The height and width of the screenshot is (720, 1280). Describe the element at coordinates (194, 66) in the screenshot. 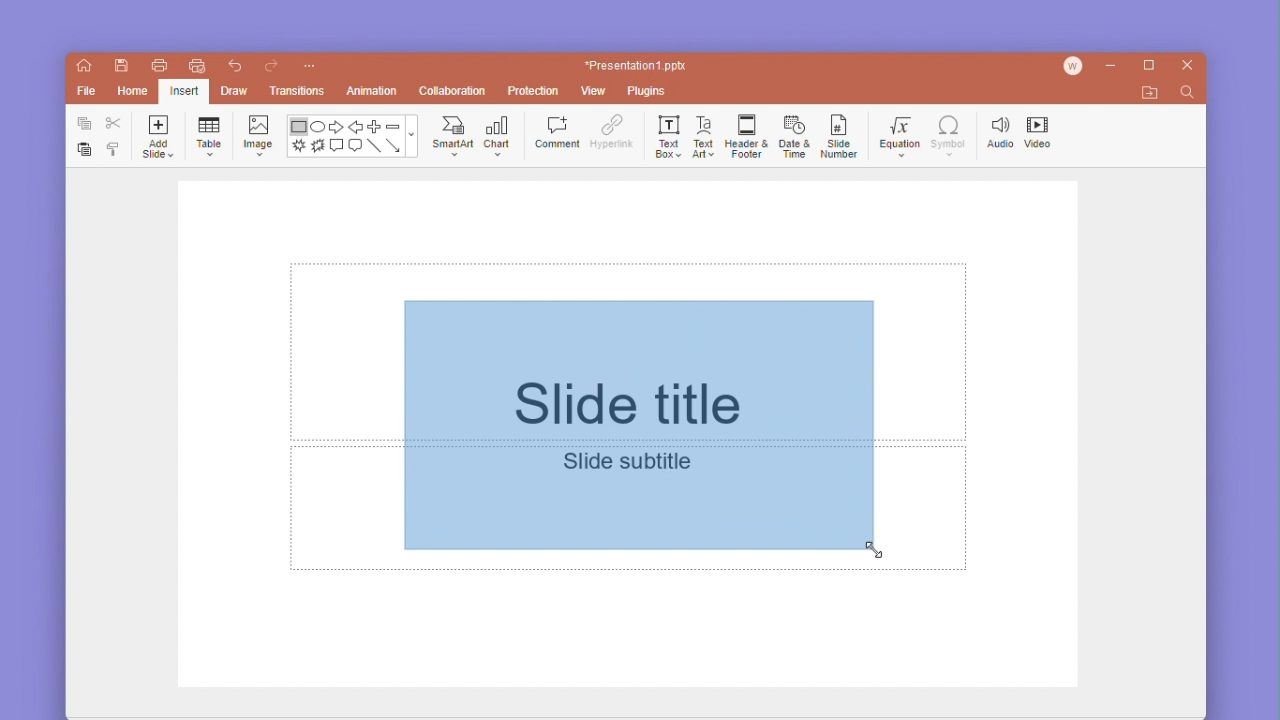

I see `quick print` at that location.